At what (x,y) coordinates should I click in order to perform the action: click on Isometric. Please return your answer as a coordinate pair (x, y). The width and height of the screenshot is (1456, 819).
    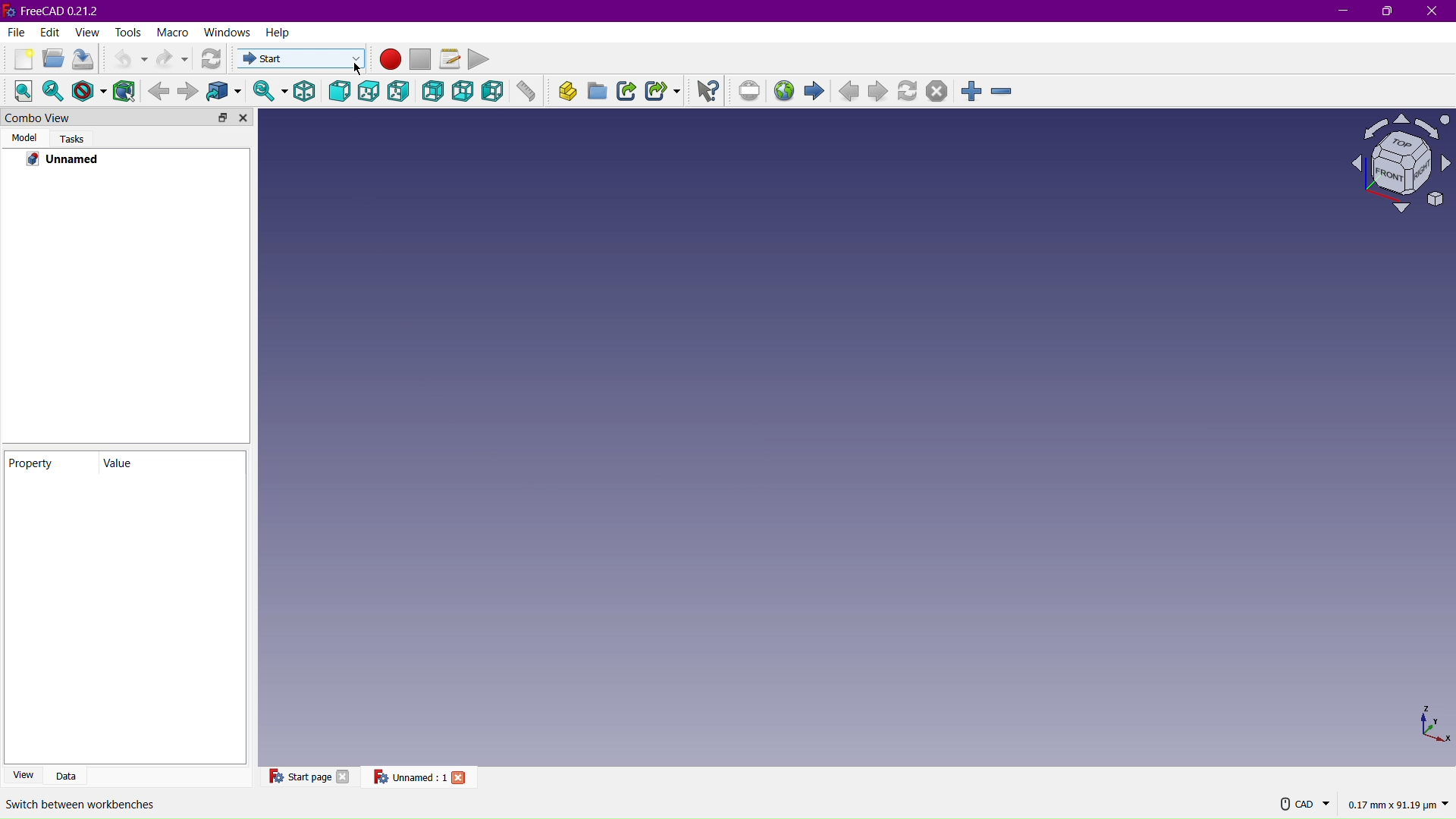
    Looking at the image, I should click on (302, 92).